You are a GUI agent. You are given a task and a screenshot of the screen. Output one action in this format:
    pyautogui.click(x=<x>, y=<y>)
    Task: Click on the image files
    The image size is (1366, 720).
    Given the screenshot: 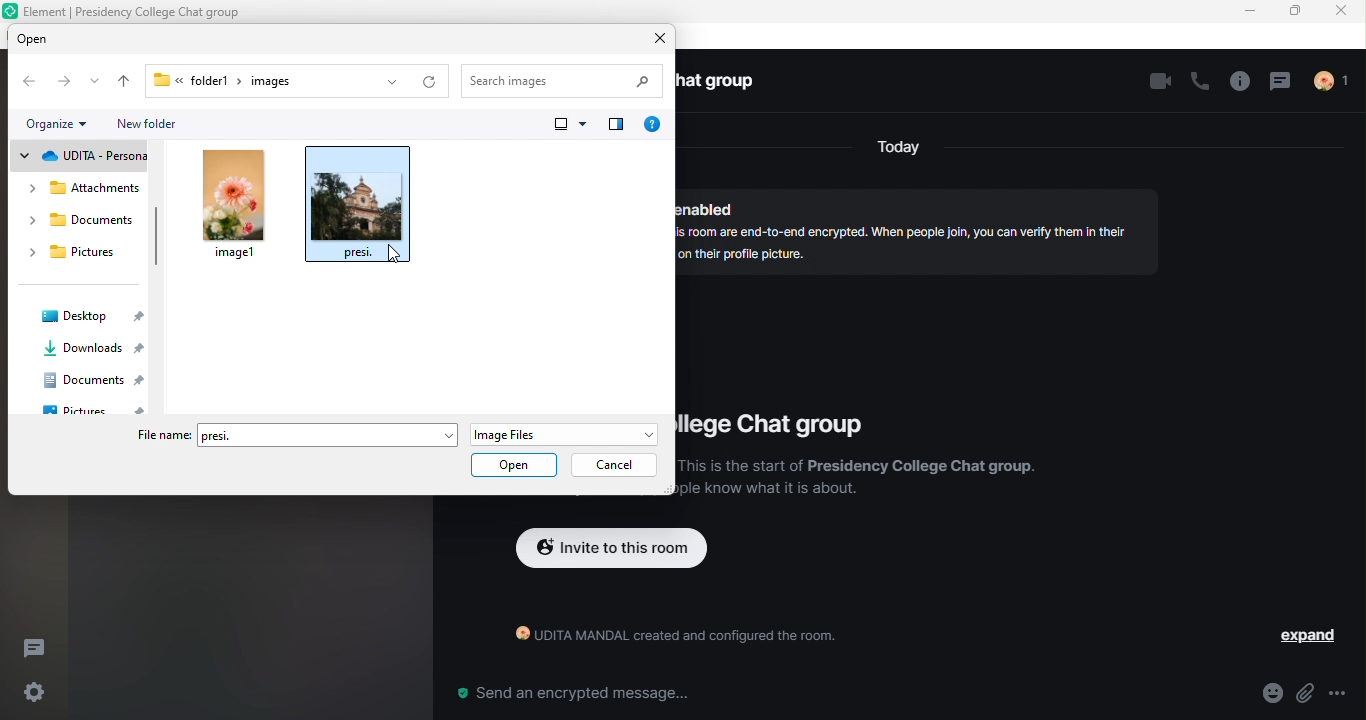 What is the action you would take?
    pyautogui.click(x=562, y=432)
    